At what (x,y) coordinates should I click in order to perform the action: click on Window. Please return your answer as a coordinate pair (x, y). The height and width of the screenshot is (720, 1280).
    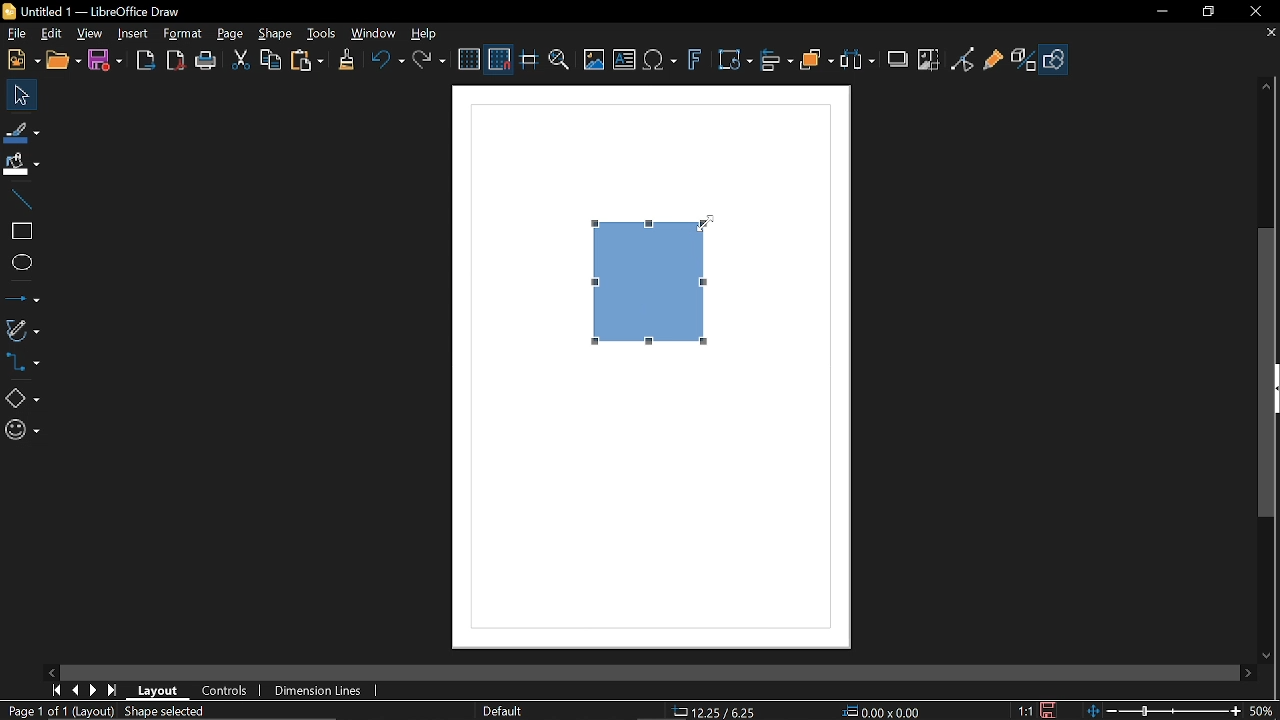
    Looking at the image, I should click on (376, 35).